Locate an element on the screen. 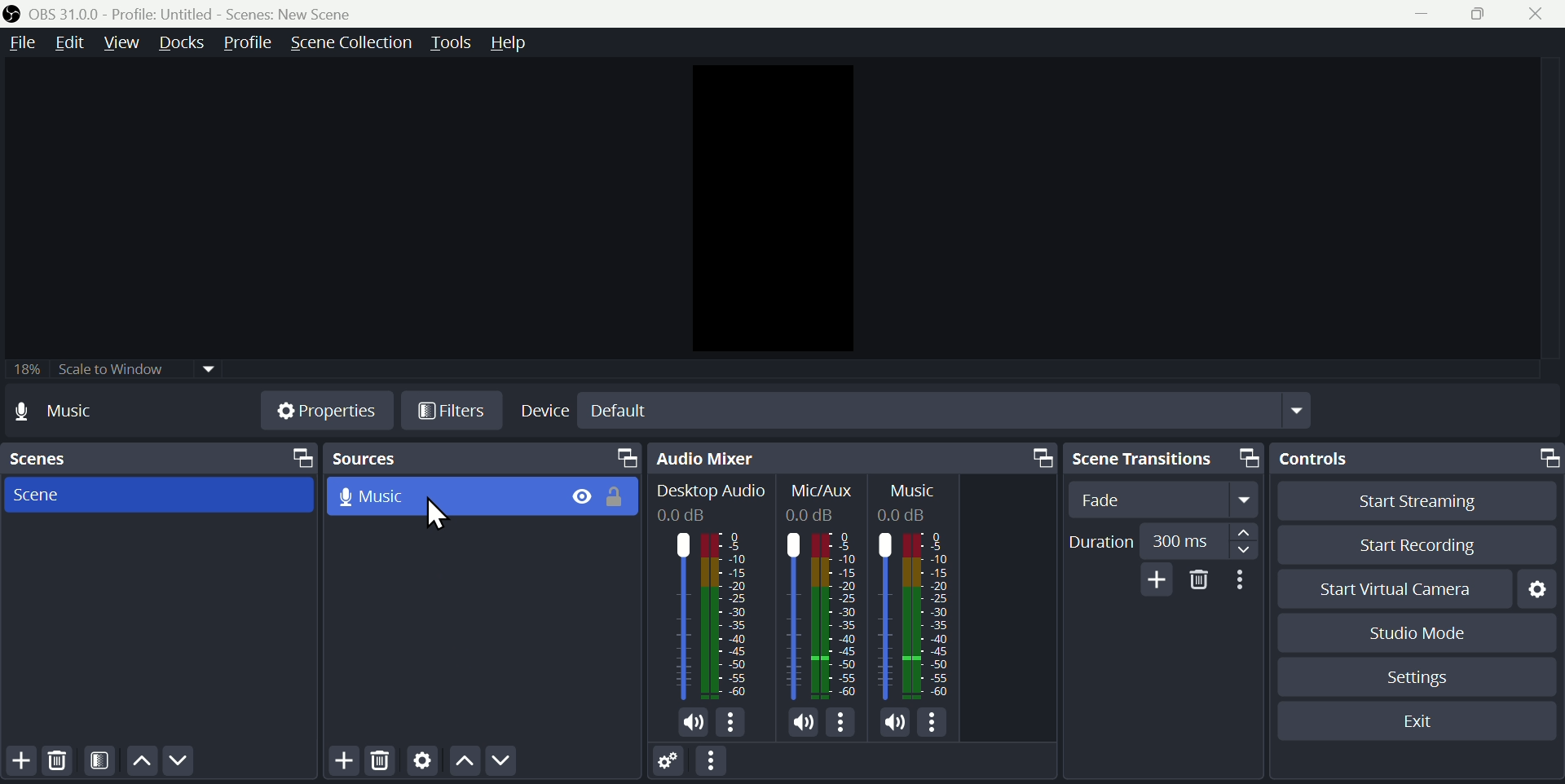 Image resolution: width=1565 pixels, height=784 pixels. Move down is located at coordinates (504, 762).